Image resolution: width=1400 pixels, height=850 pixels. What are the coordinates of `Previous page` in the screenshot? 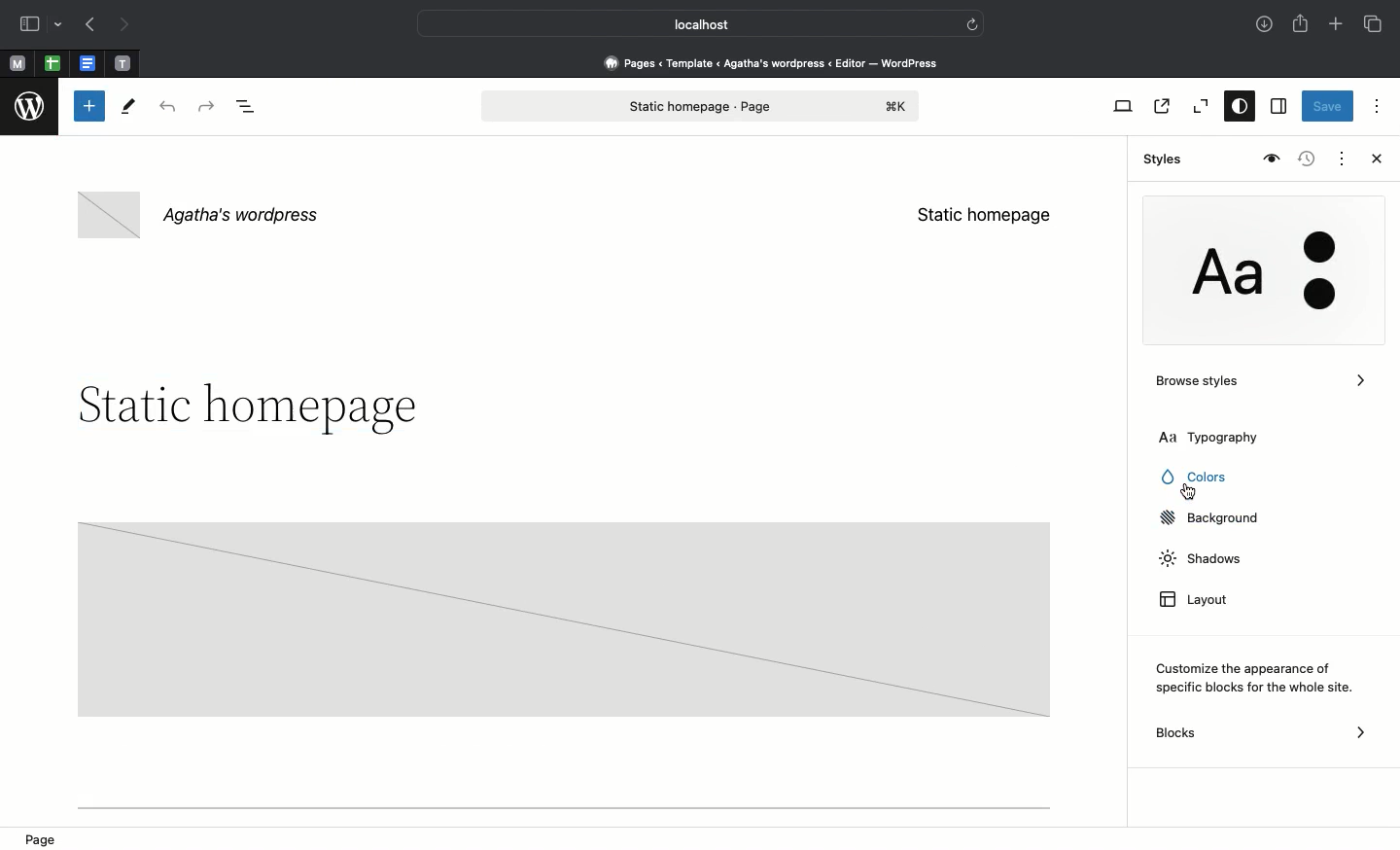 It's located at (88, 26).